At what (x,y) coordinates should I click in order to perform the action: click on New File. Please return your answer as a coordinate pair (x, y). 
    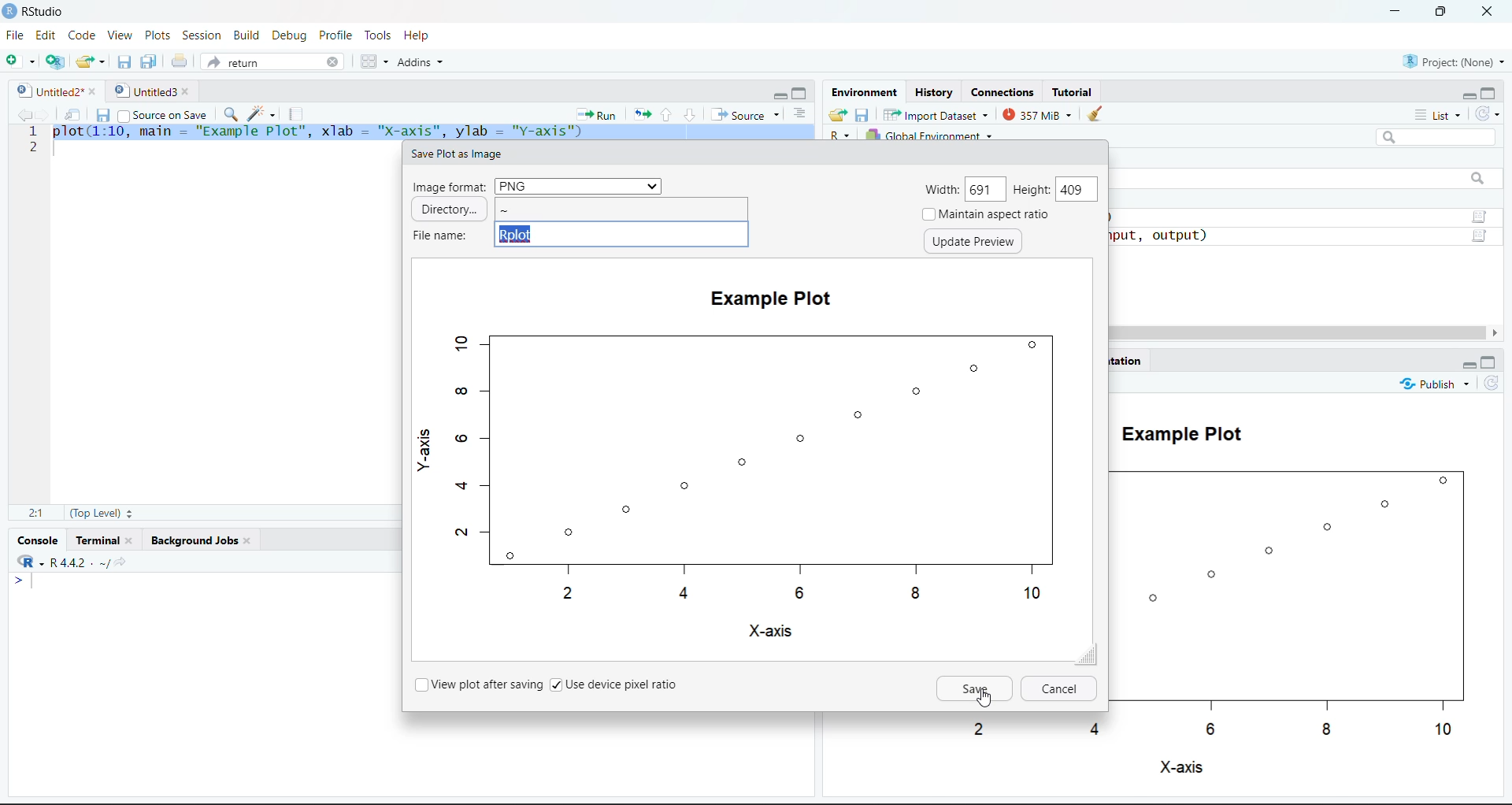
    Looking at the image, I should click on (20, 60).